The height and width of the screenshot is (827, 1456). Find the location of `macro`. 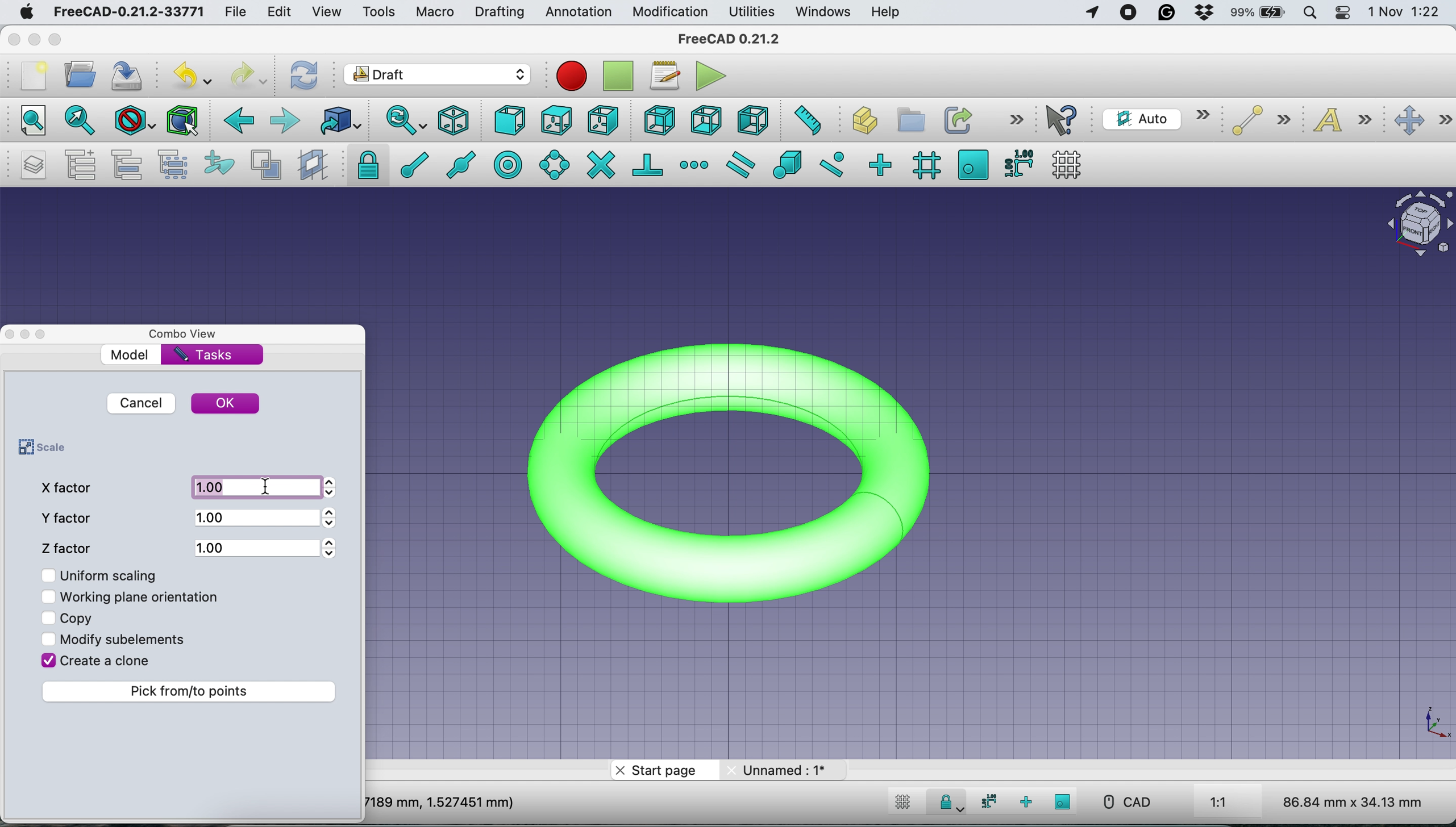

macro is located at coordinates (435, 14).